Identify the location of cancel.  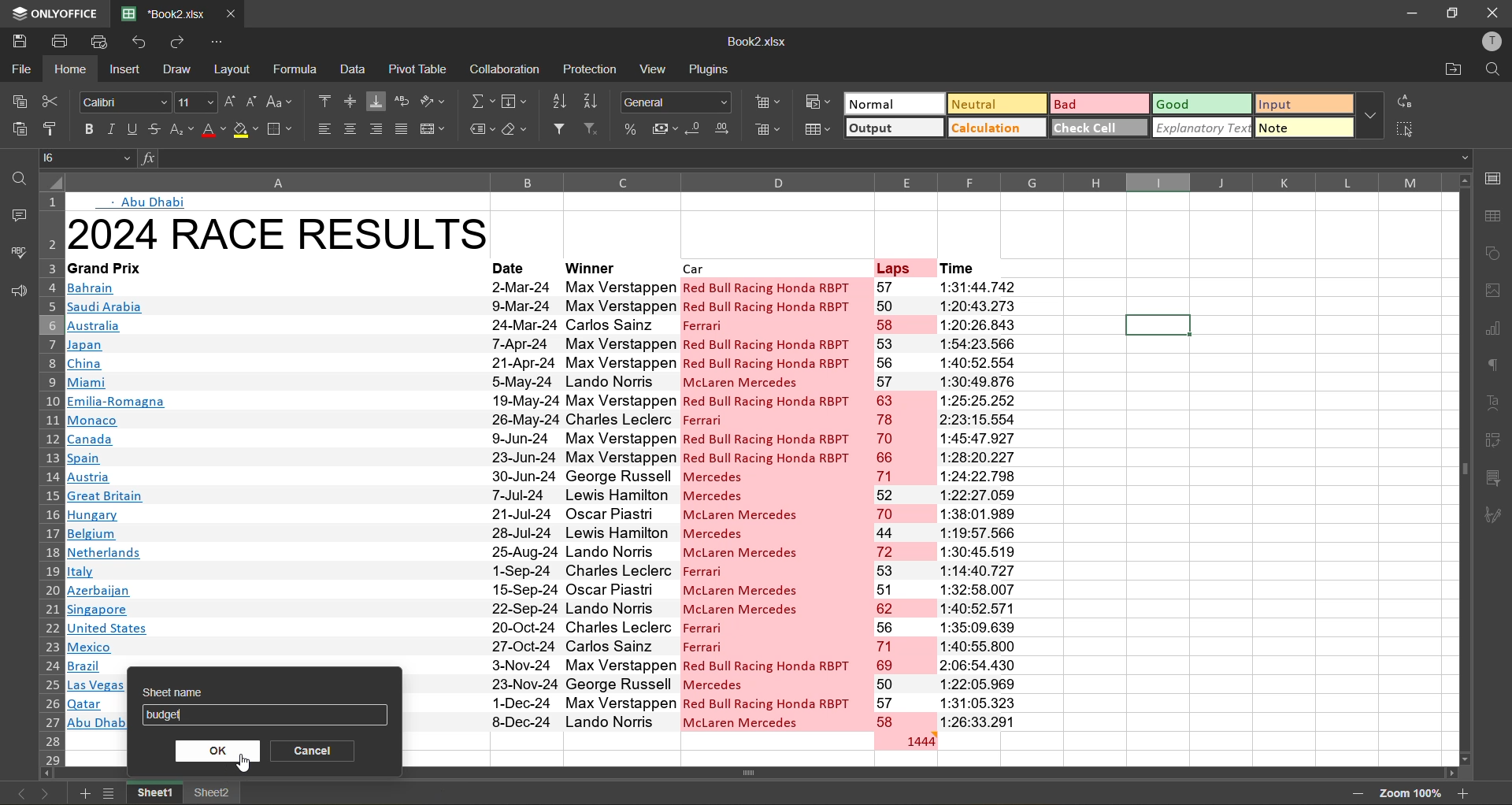
(316, 750).